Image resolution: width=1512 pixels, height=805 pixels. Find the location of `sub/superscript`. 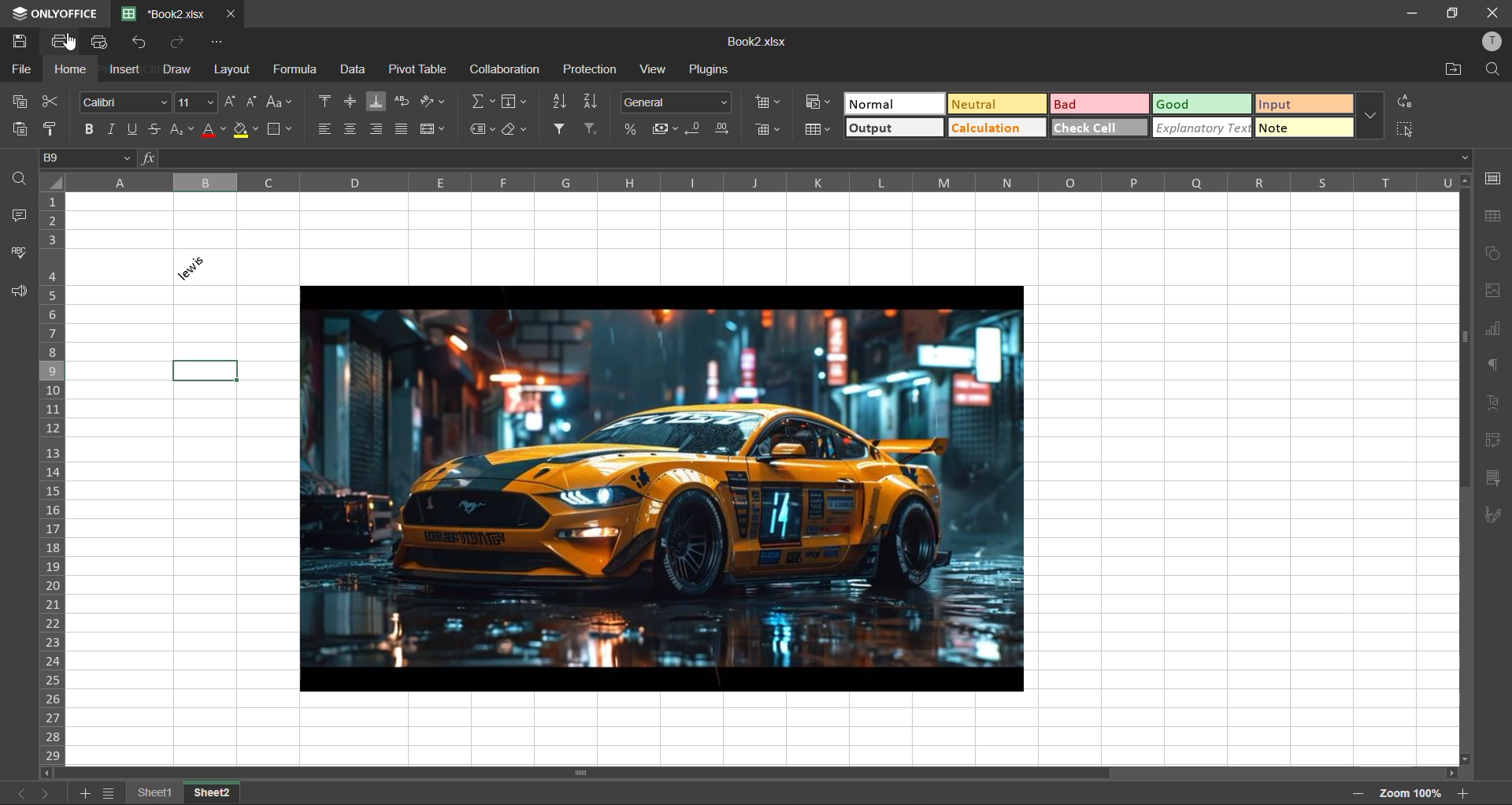

sub/superscript is located at coordinates (182, 131).